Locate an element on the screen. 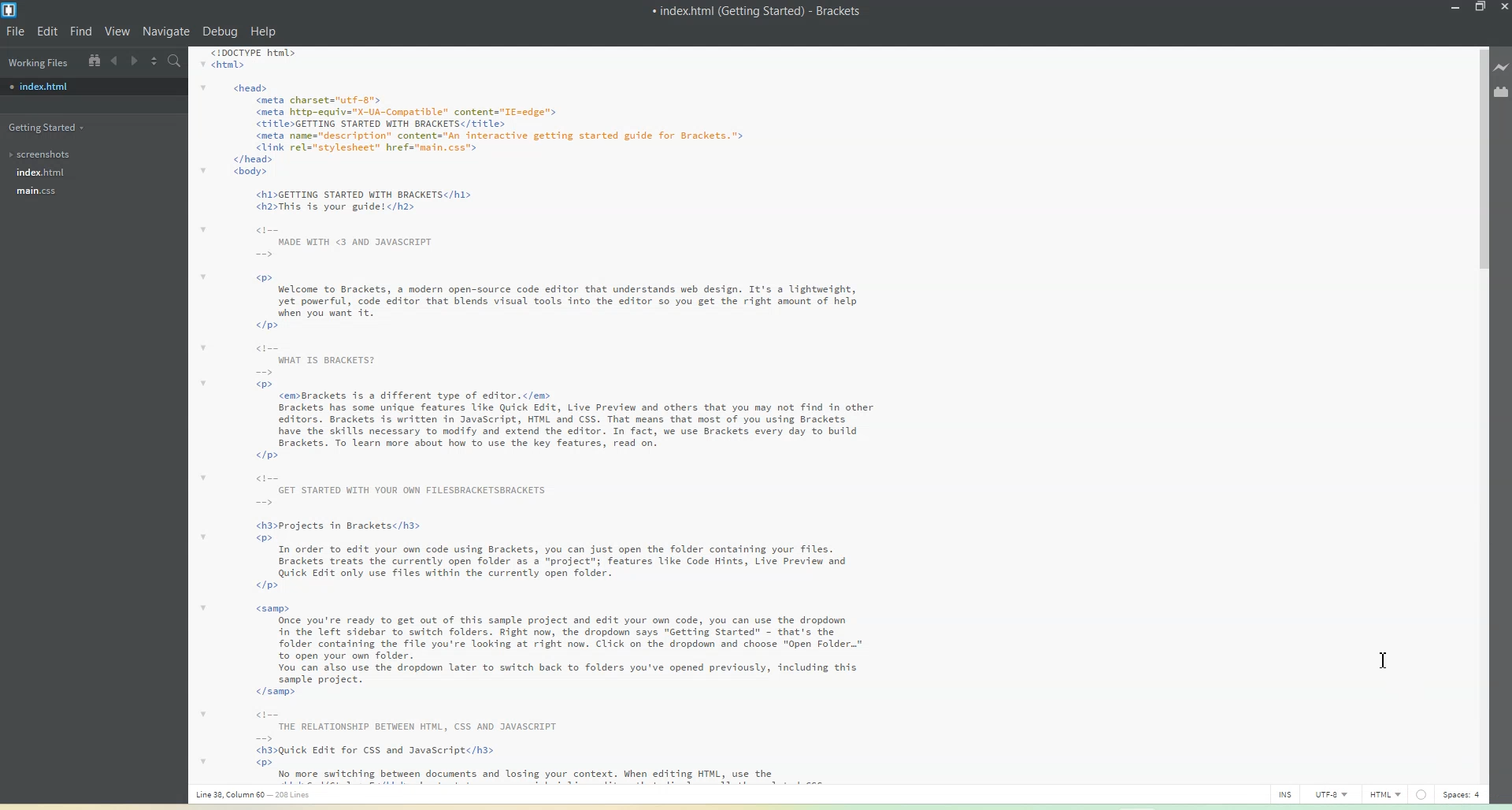 Image resolution: width=1512 pixels, height=810 pixels. Debug is located at coordinates (220, 32).